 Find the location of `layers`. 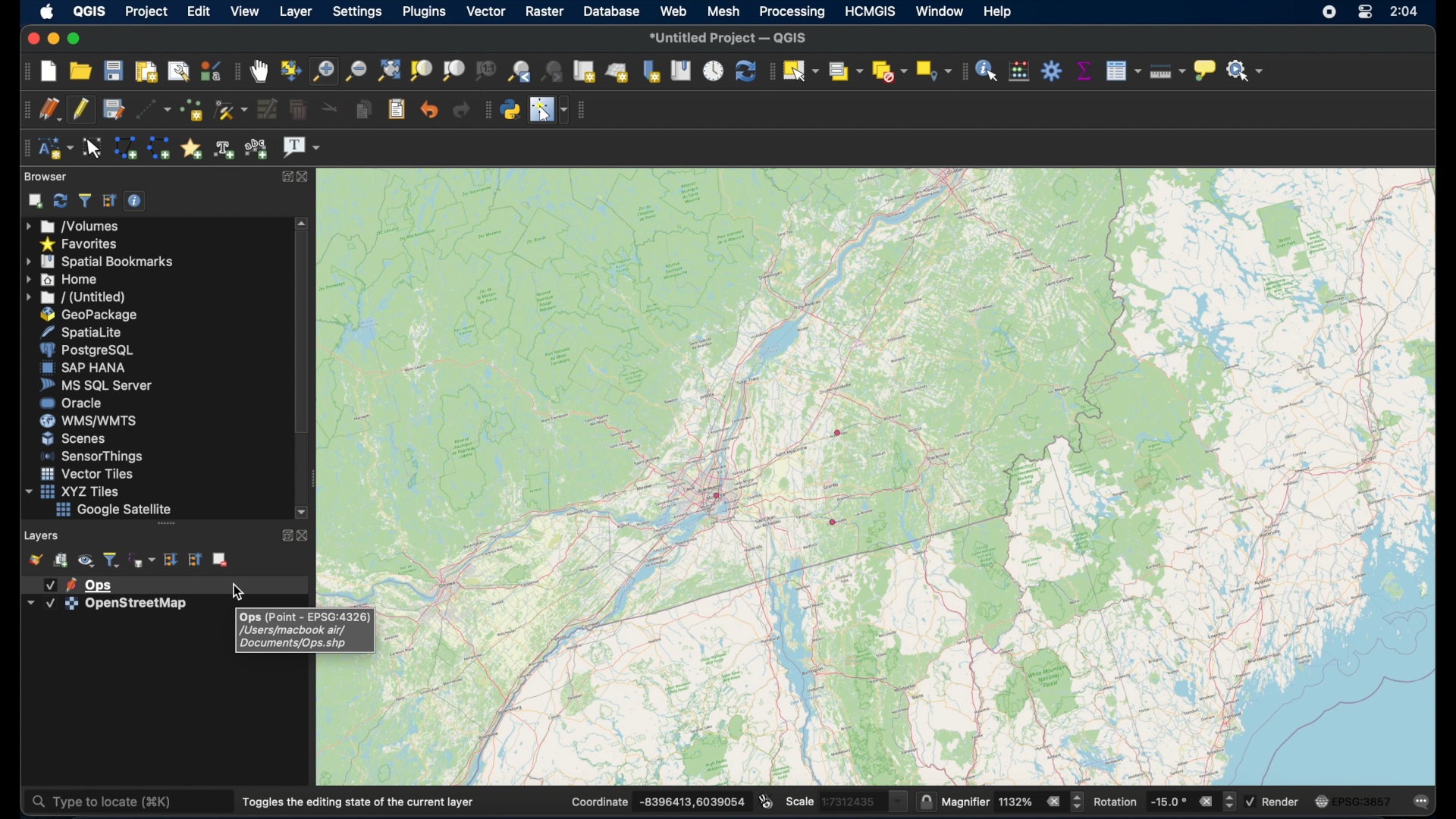

layers is located at coordinates (40, 535).